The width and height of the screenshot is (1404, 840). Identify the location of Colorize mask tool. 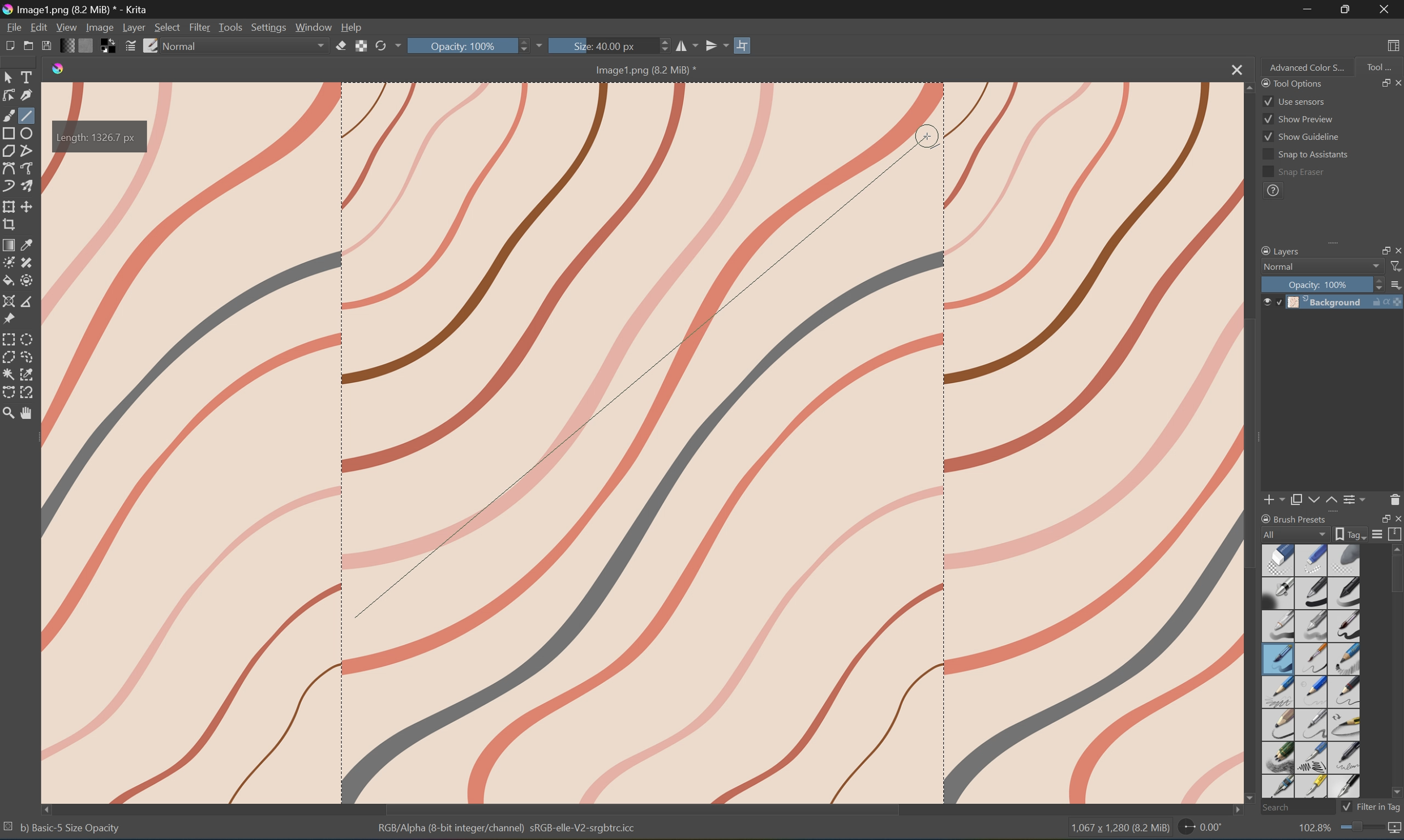
(9, 262).